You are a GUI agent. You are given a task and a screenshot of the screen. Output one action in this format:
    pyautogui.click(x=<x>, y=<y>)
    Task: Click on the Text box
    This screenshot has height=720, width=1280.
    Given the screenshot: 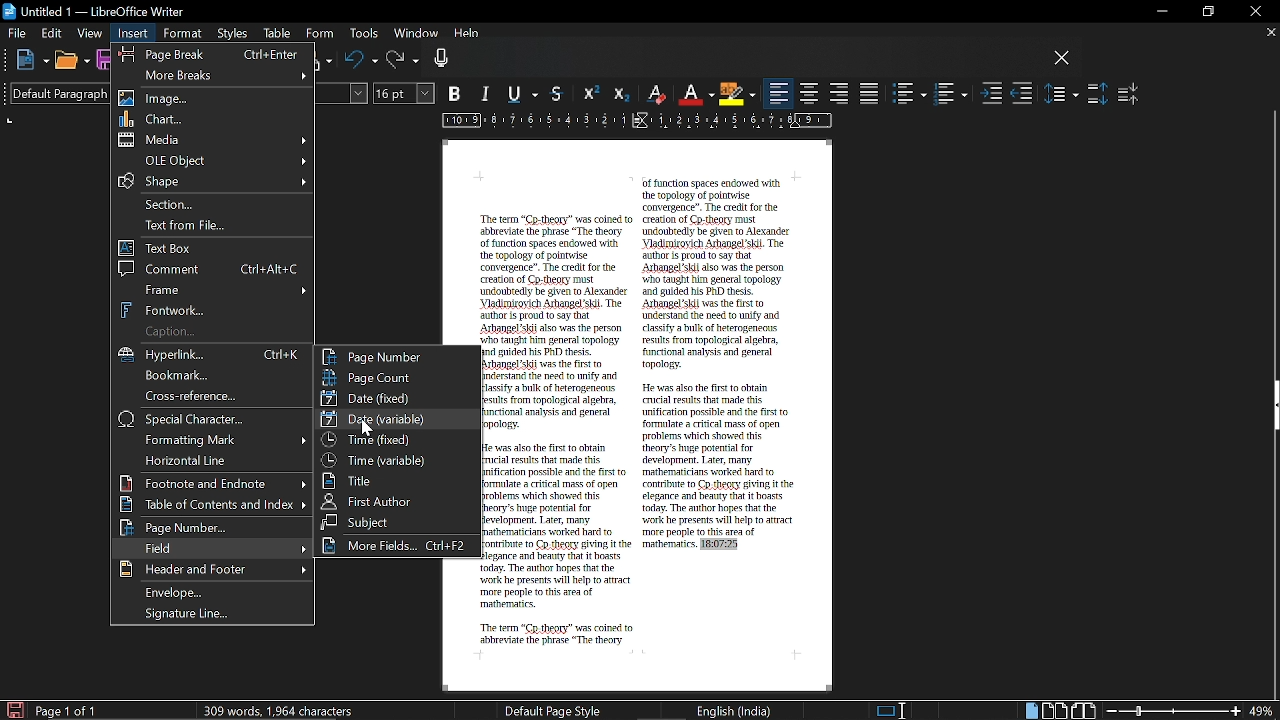 What is the action you would take?
    pyautogui.click(x=214, y=248)
    